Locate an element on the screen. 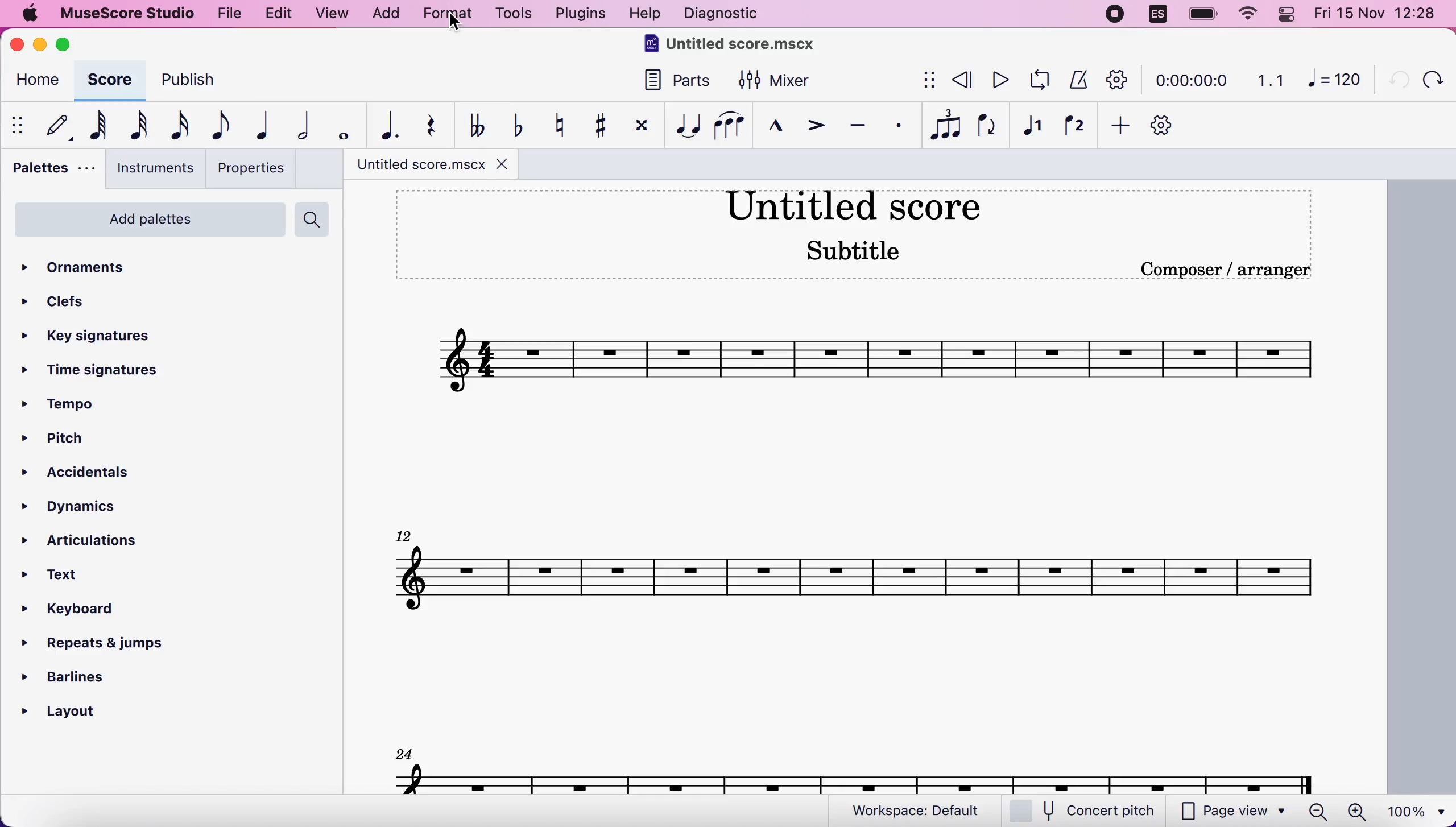 The width and height of the screenshot is (1456, 827). parts is located at coordinates (671, 85).